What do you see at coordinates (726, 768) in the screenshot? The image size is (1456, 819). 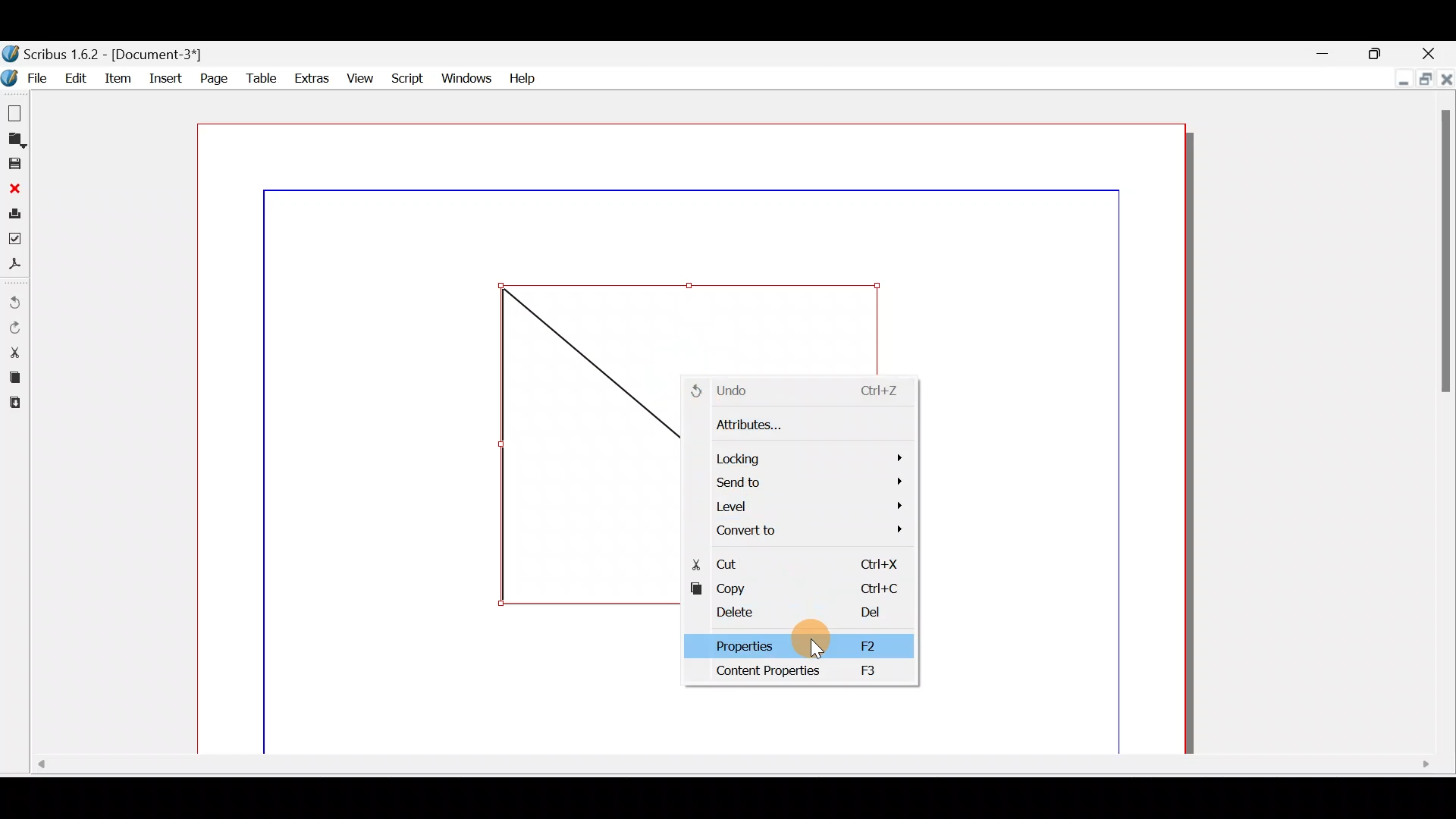 I see `Scroll bar` at bounding box center [726, 768].